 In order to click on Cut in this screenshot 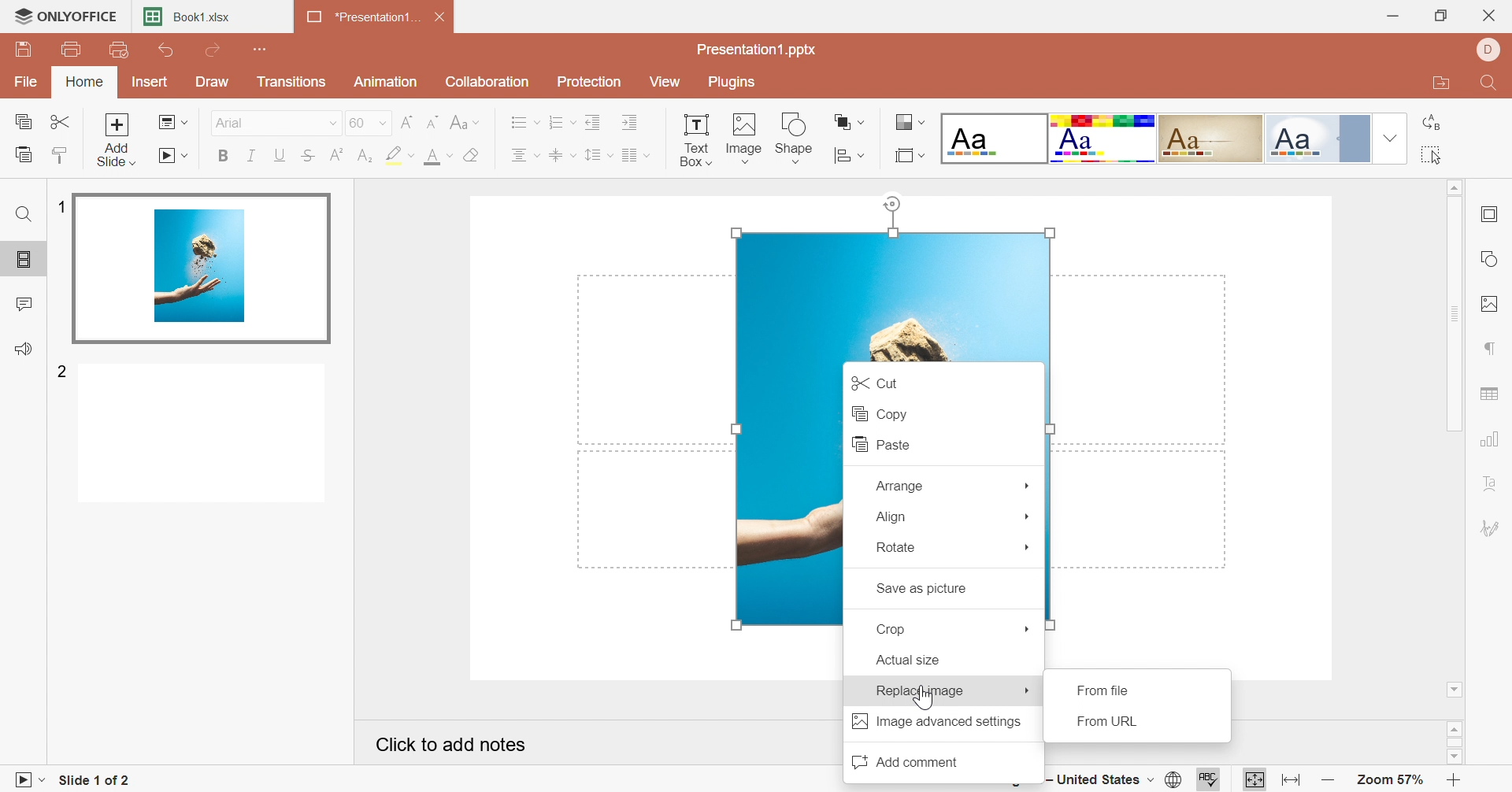, I will do `click(62, 121)`.